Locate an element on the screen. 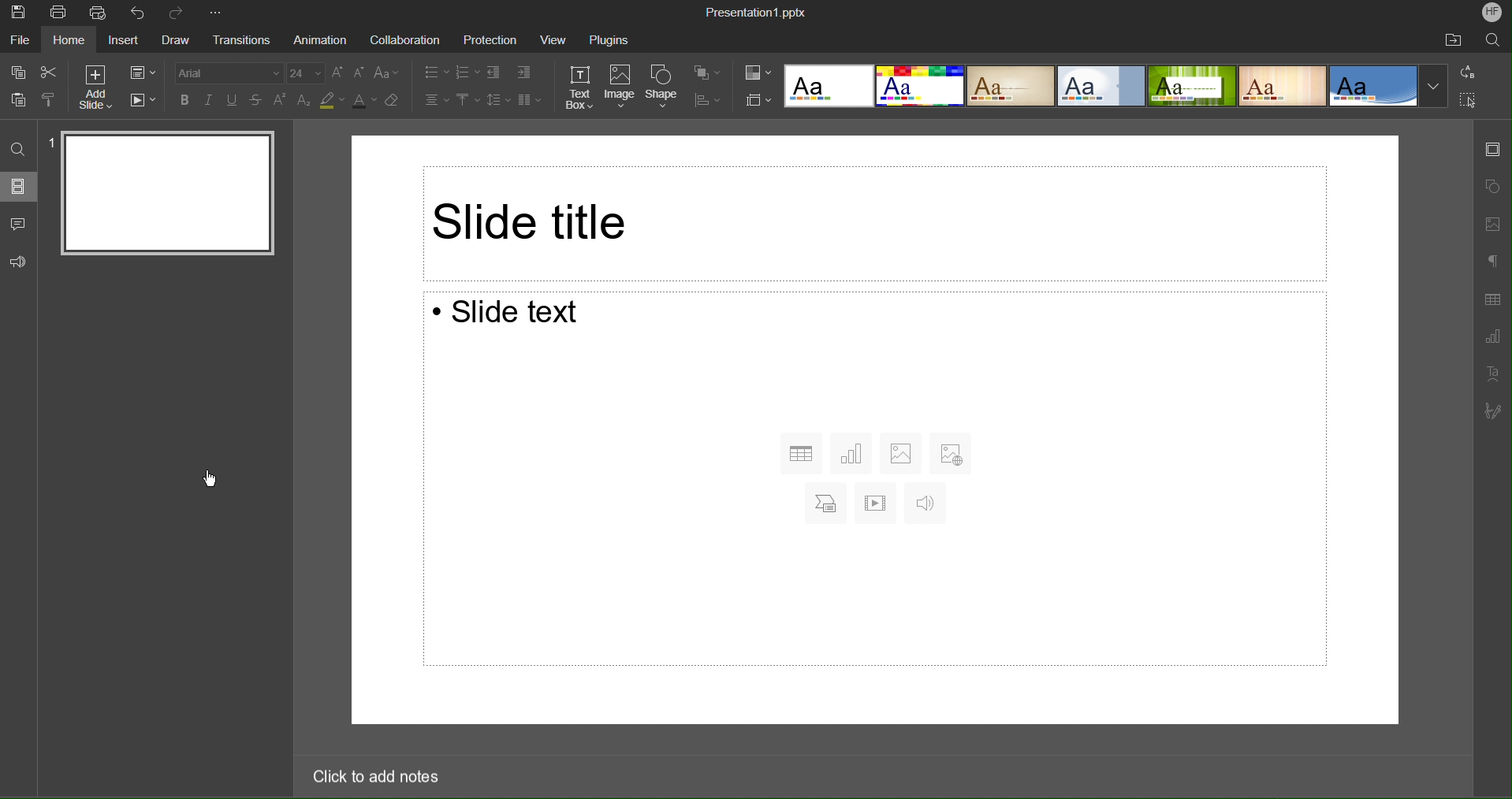 The image size is (1512, 799). Text Art is located at coordinates (1492, 373).